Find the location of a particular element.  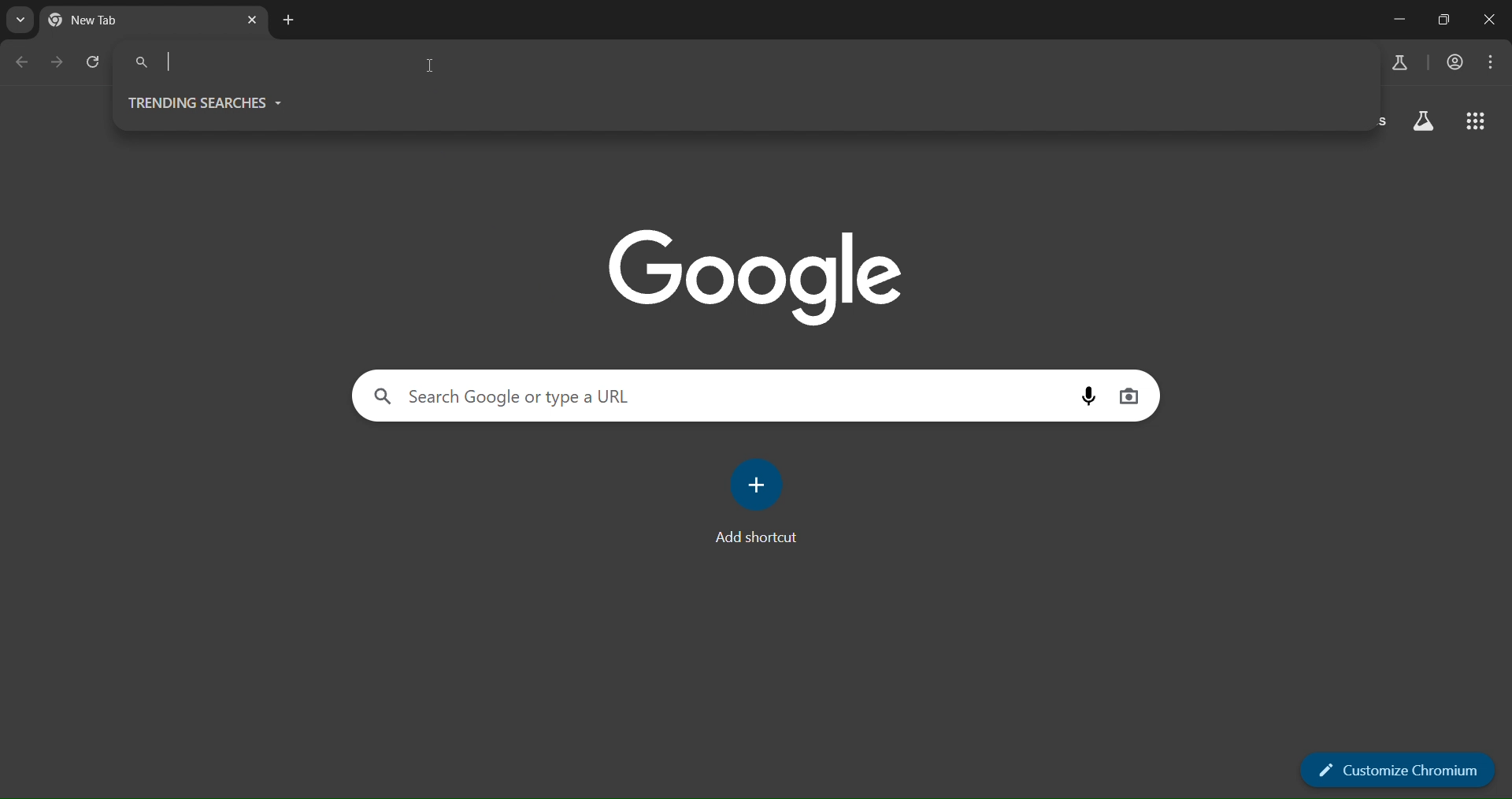

google is located at coordinates (754, 277).